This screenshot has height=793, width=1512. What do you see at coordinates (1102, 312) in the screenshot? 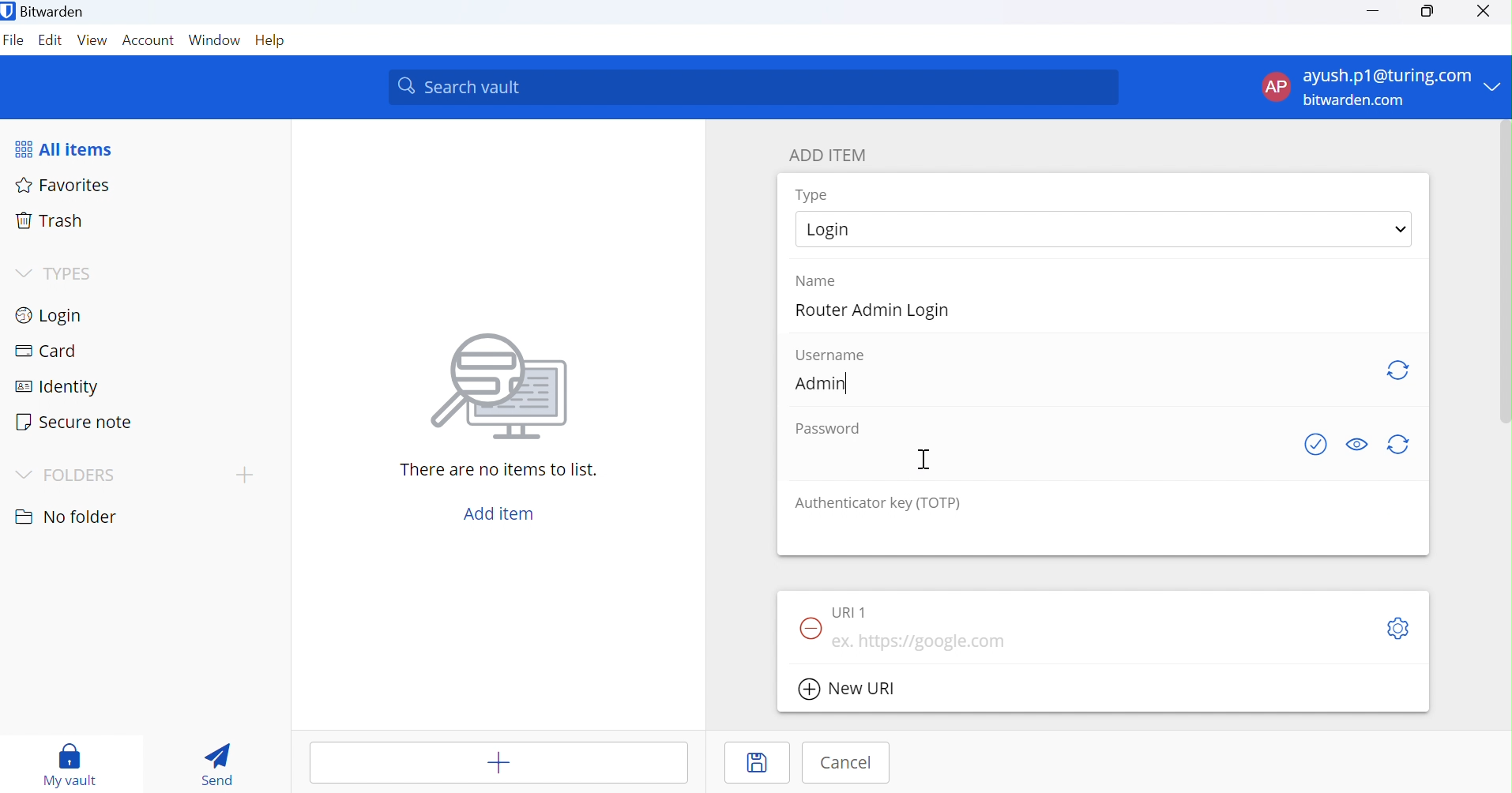
I see `add name` at bounding box center [1102, 312].